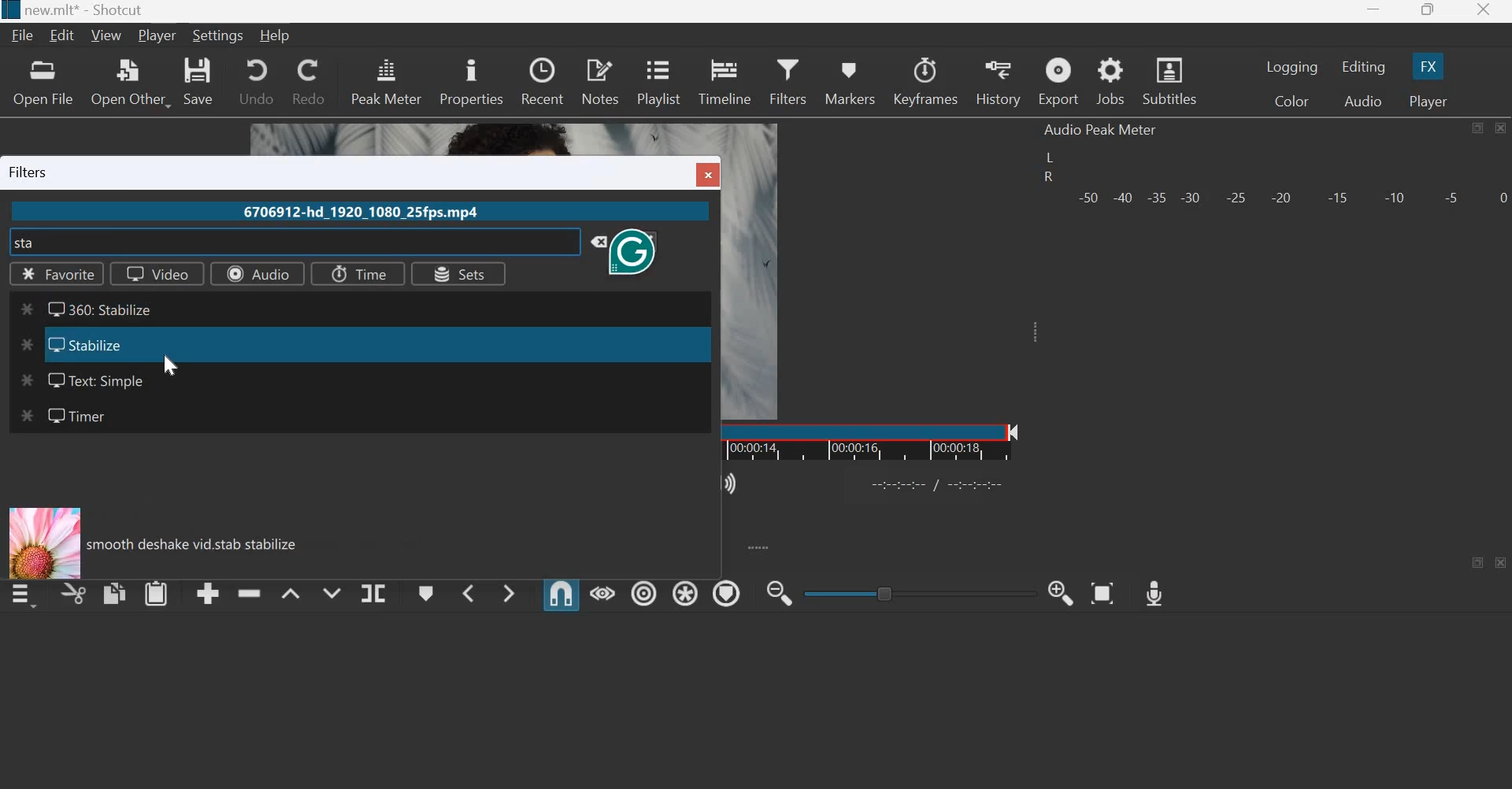 The image size is (1512, 789). Describe the element at coordinates (644, 591) in the screenshot. I see `Ripple` at that location.